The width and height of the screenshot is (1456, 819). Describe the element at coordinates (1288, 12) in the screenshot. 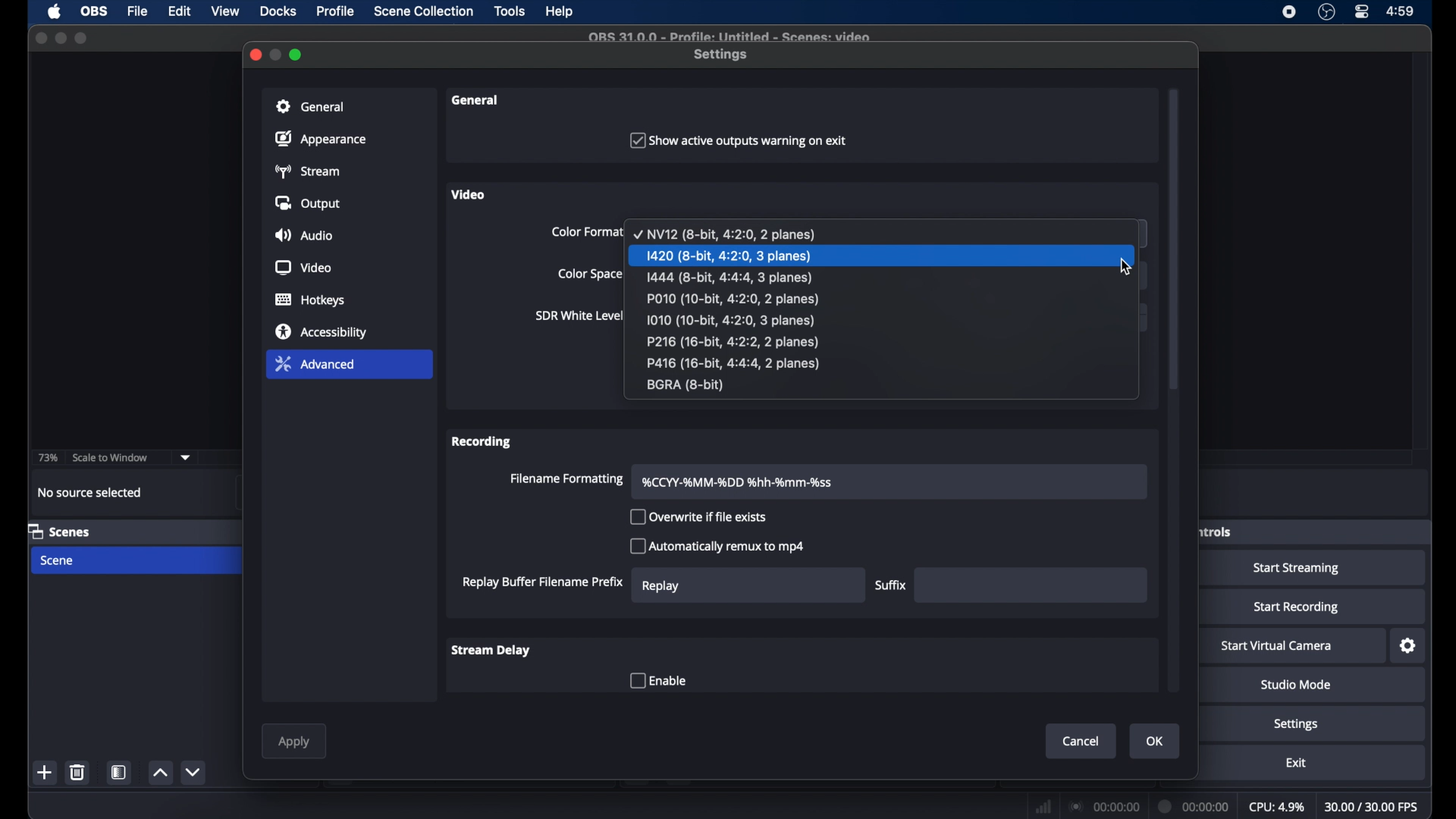

I see `screen recorder icon` at that location.